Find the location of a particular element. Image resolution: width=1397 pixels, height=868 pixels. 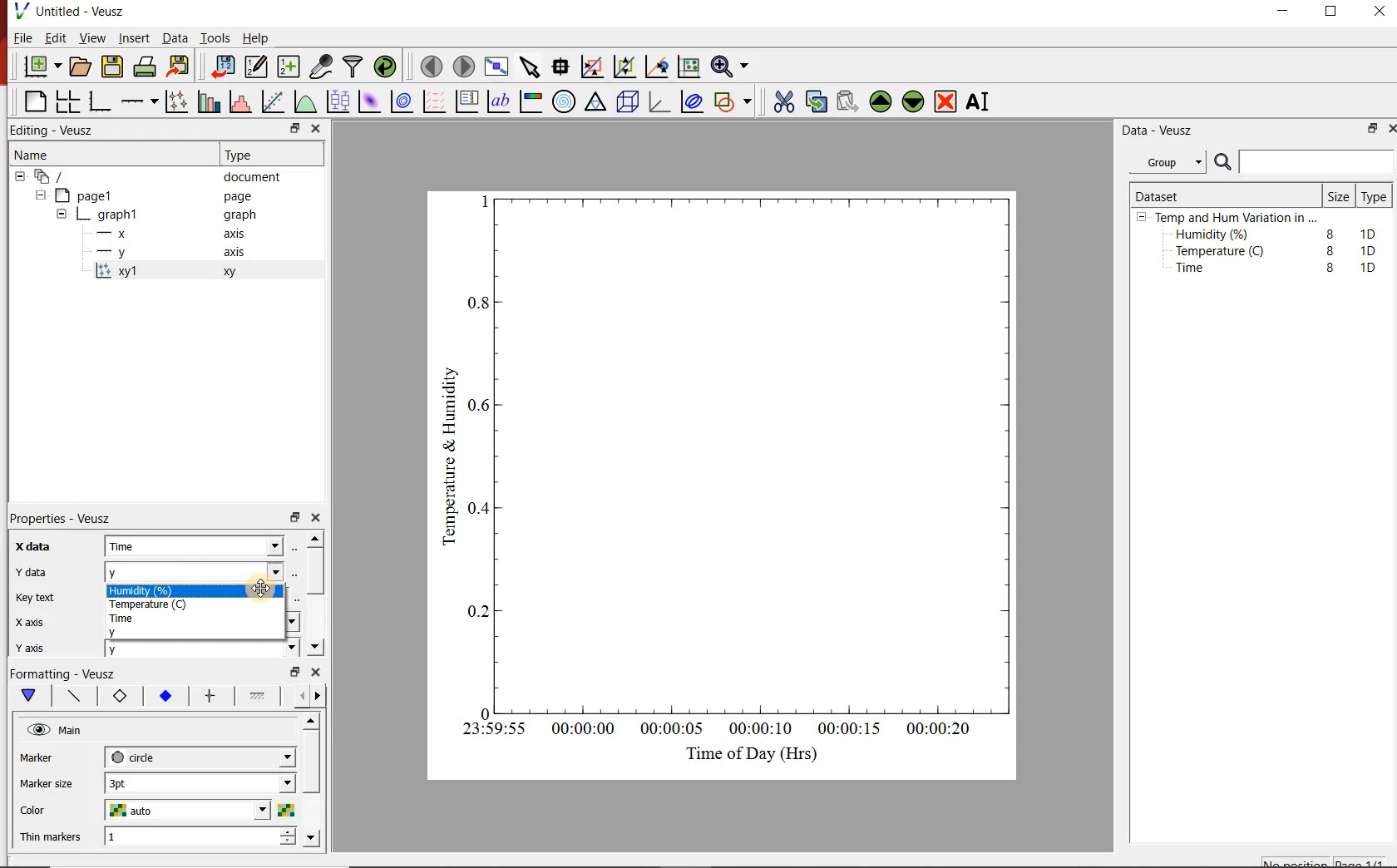

0.8 is located at coordinates (479, 302).